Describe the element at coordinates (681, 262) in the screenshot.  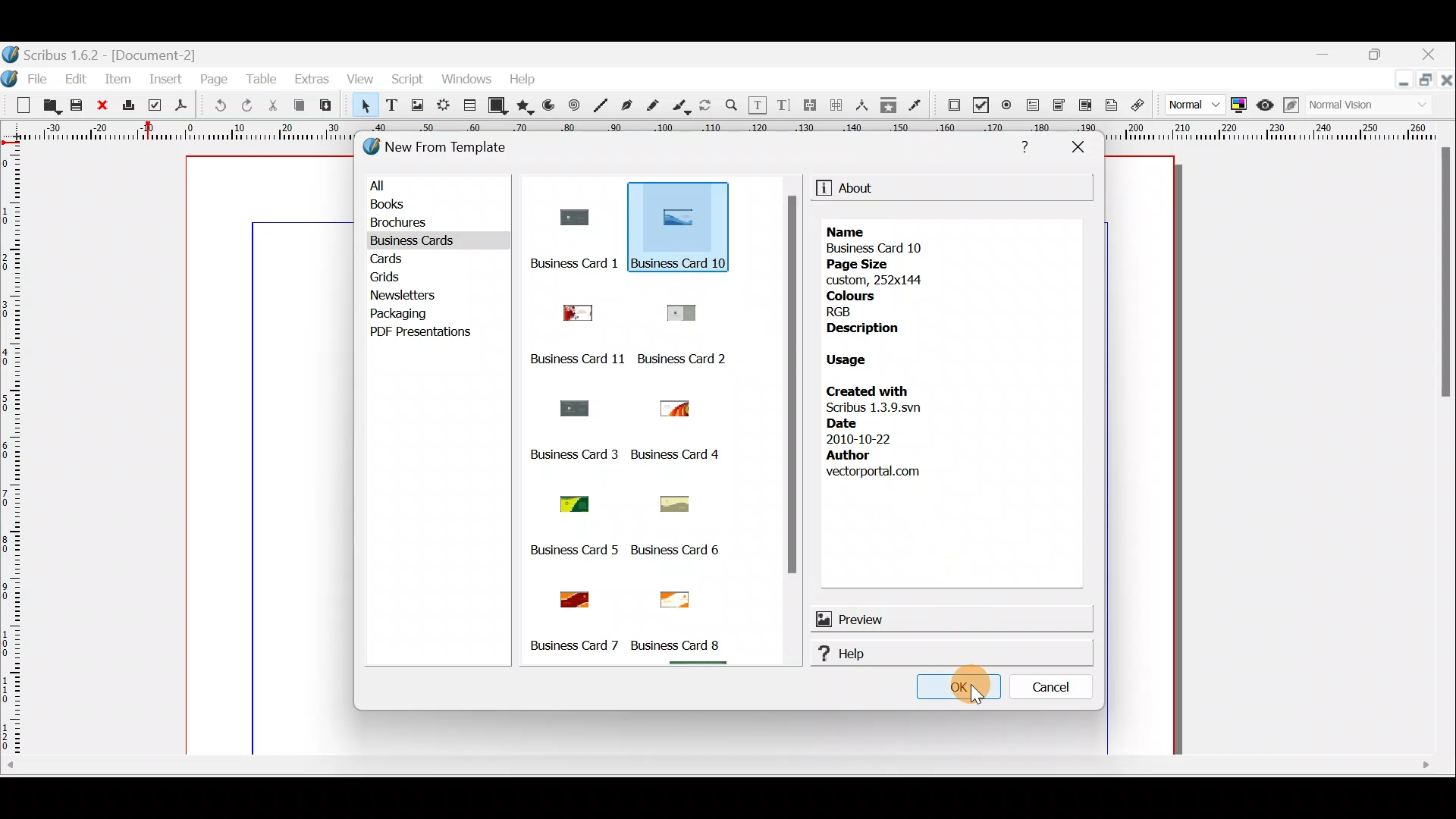
I see `Business Card 10` at that location.